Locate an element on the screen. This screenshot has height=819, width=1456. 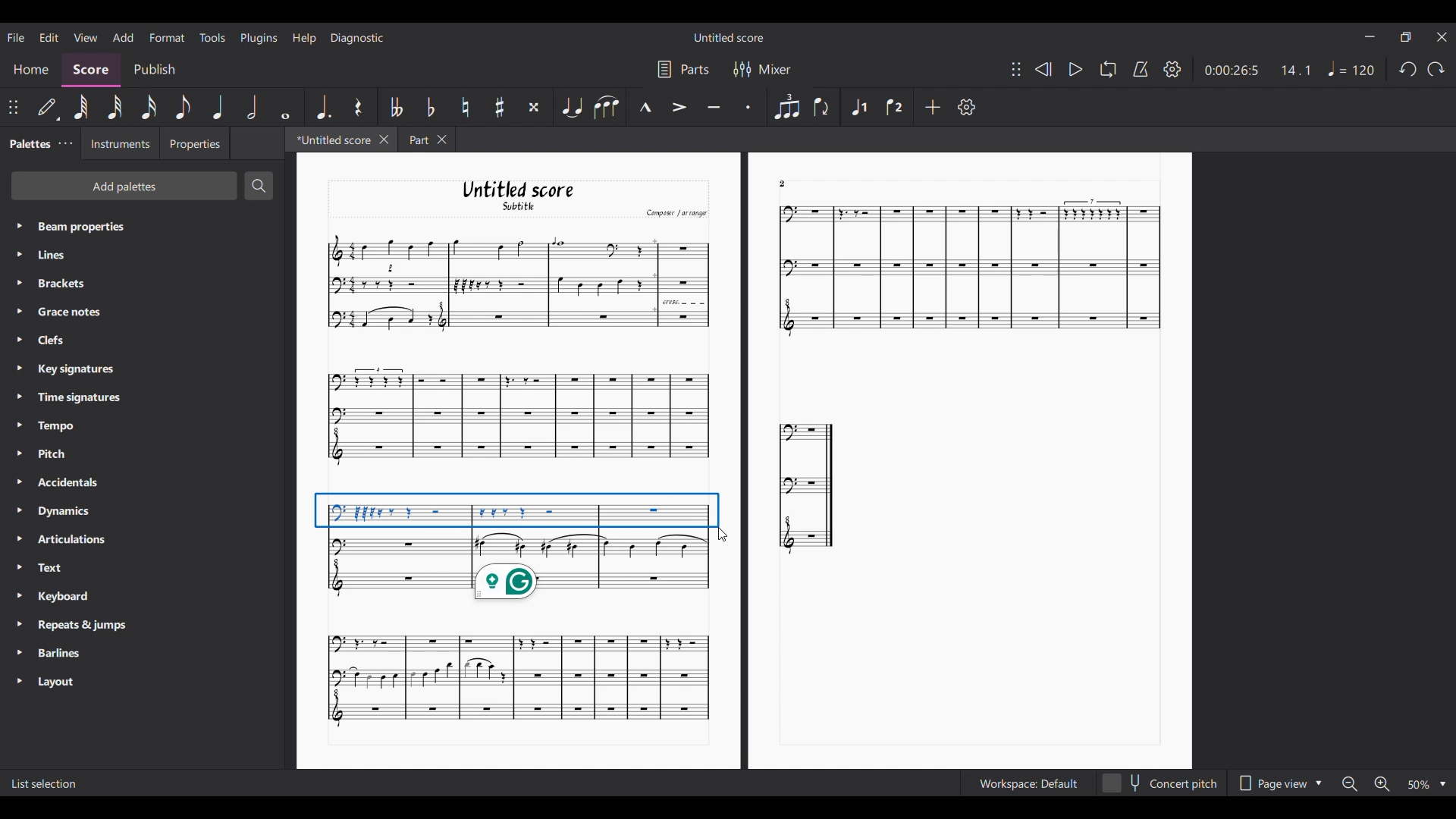
Add is located at coordinates (934, 107).